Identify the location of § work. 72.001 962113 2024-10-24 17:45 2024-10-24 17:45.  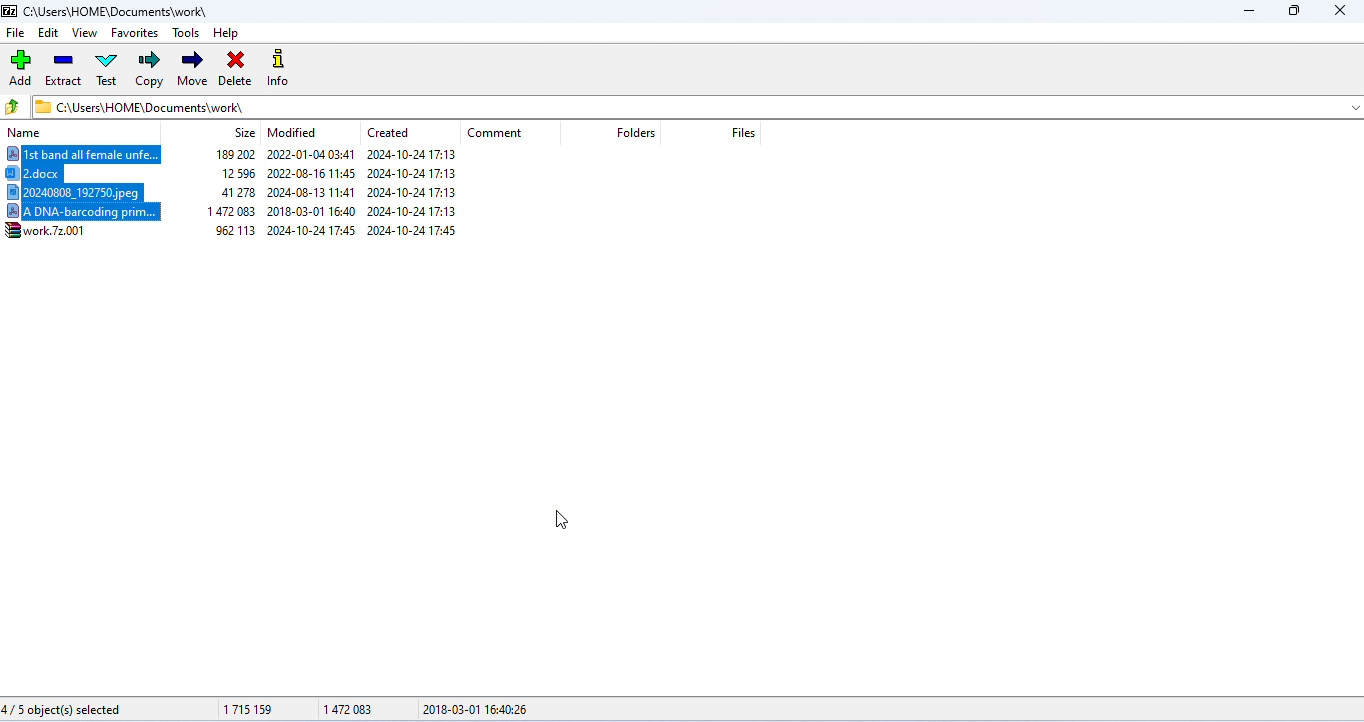
(241, 231).